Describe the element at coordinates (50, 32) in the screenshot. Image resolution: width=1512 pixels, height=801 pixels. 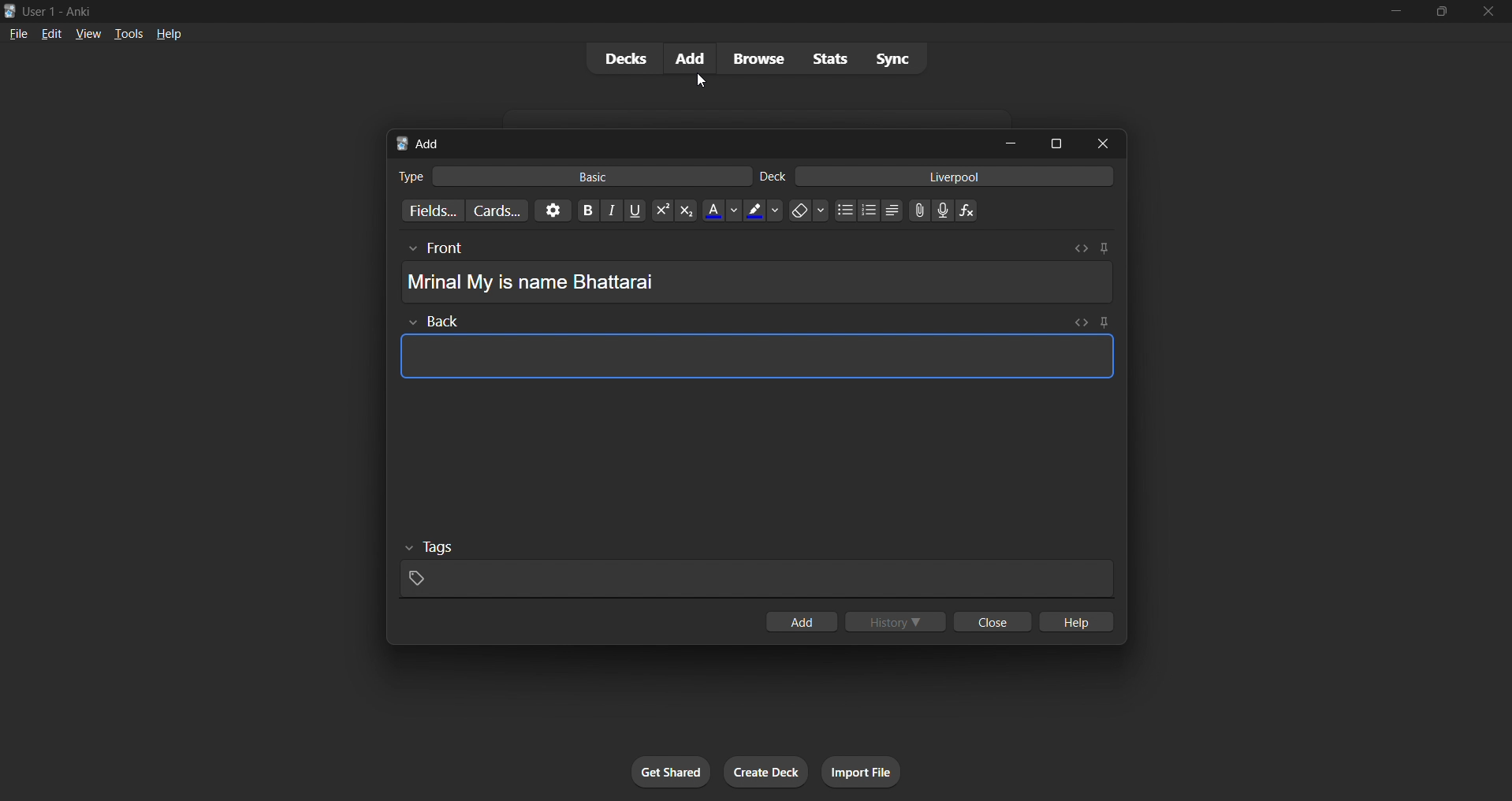
I see `edit` at that location.